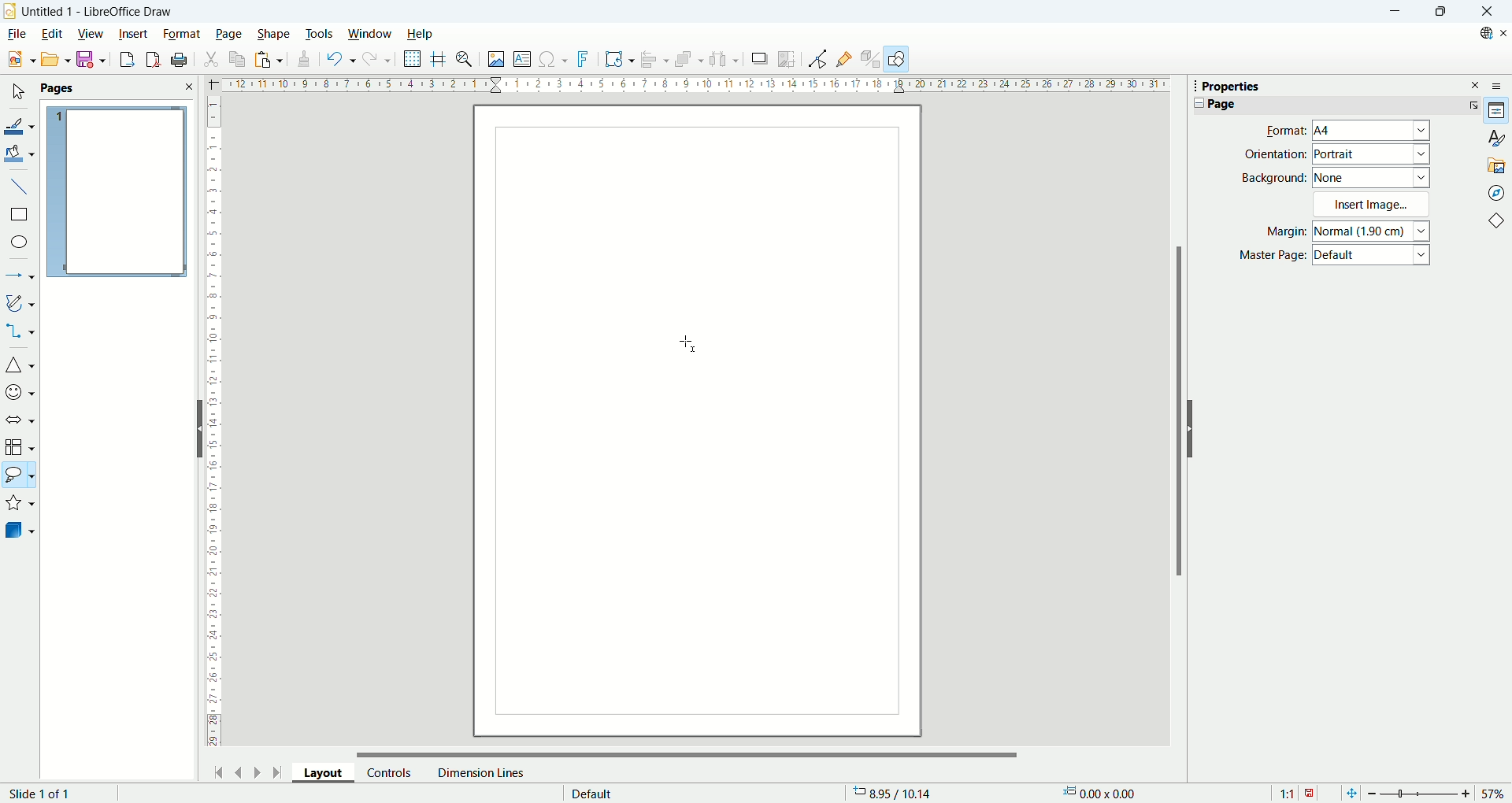 Image resolution: width=1512 pixels, height=803 pixels. What do you see at coordinates (1281, 130) in the screenshot?
I see `Format` at bounding box center [1281, 130].